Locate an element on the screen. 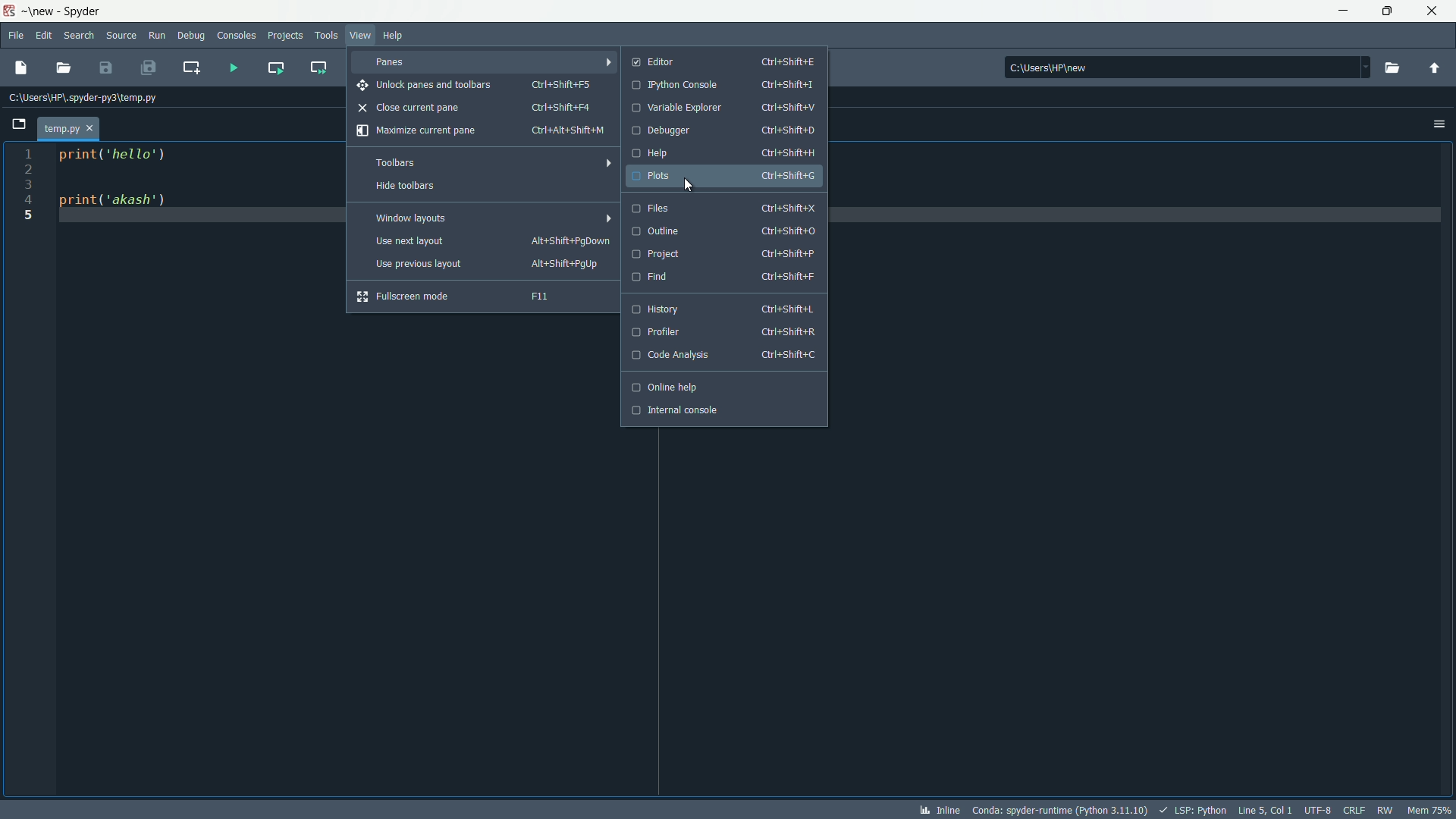  search menu is located at coordinates (81, 36).